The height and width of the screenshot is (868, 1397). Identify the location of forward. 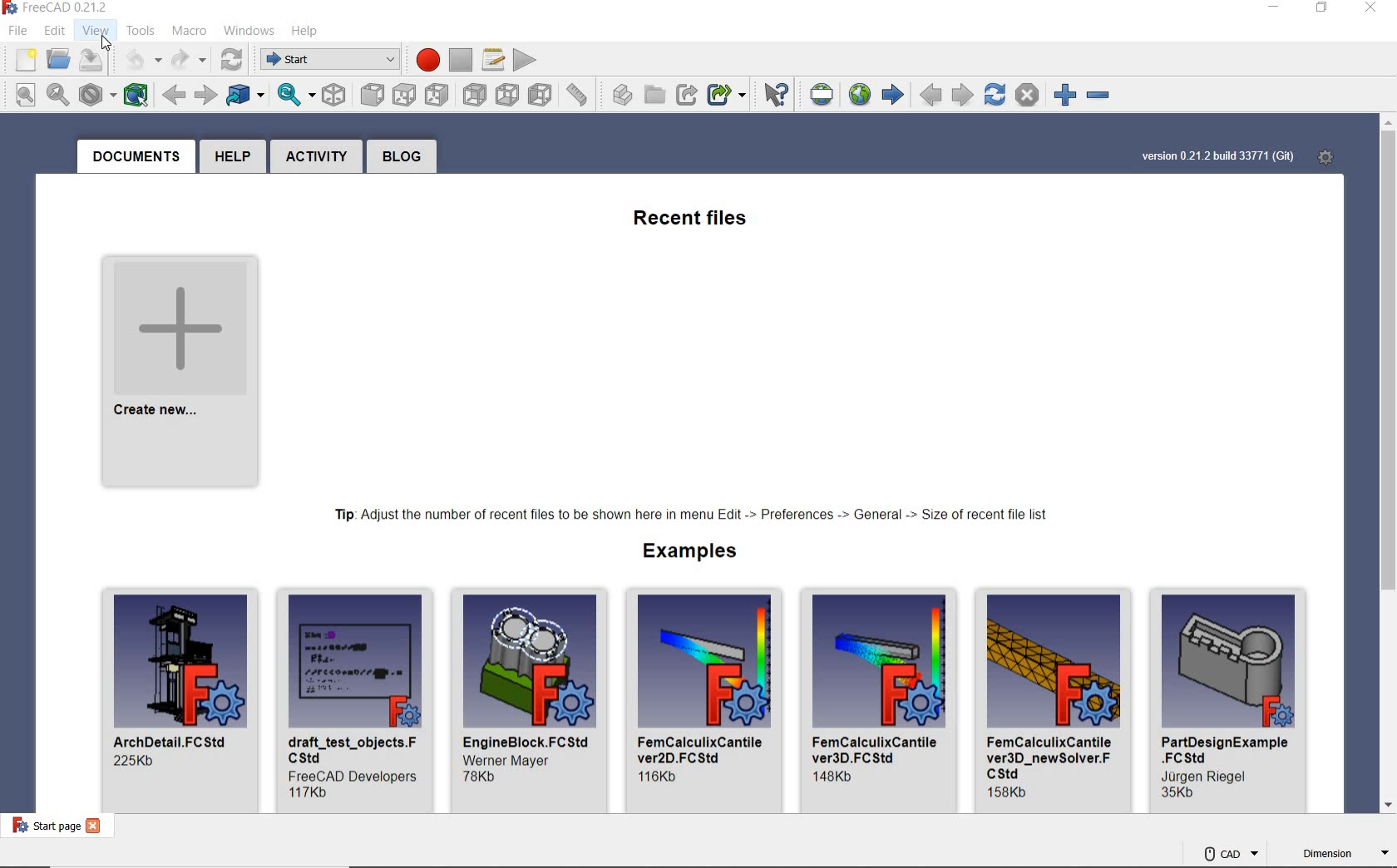
(205, 96).